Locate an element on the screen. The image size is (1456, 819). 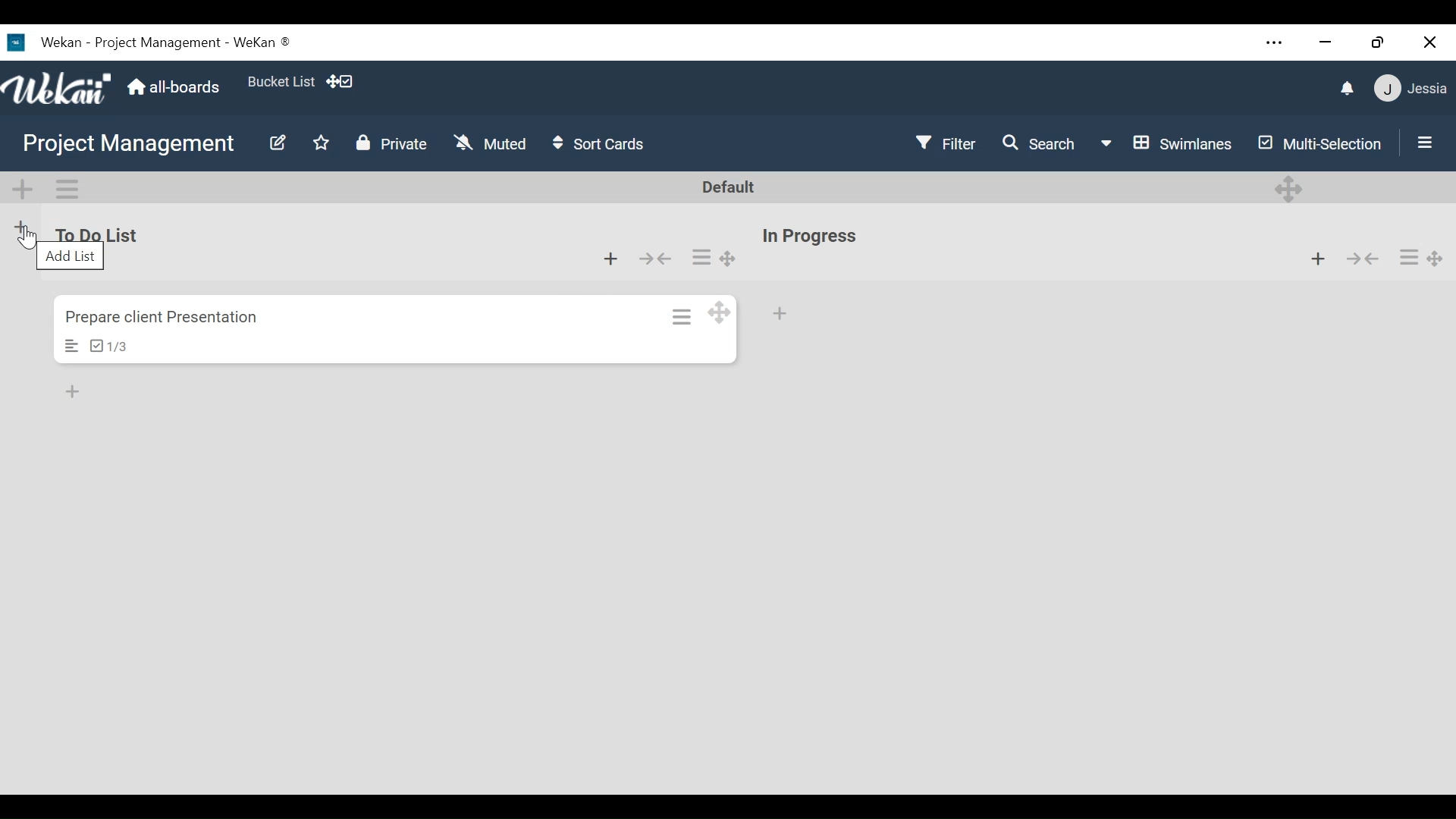
Collapse is located at coordinates (1364, 259).